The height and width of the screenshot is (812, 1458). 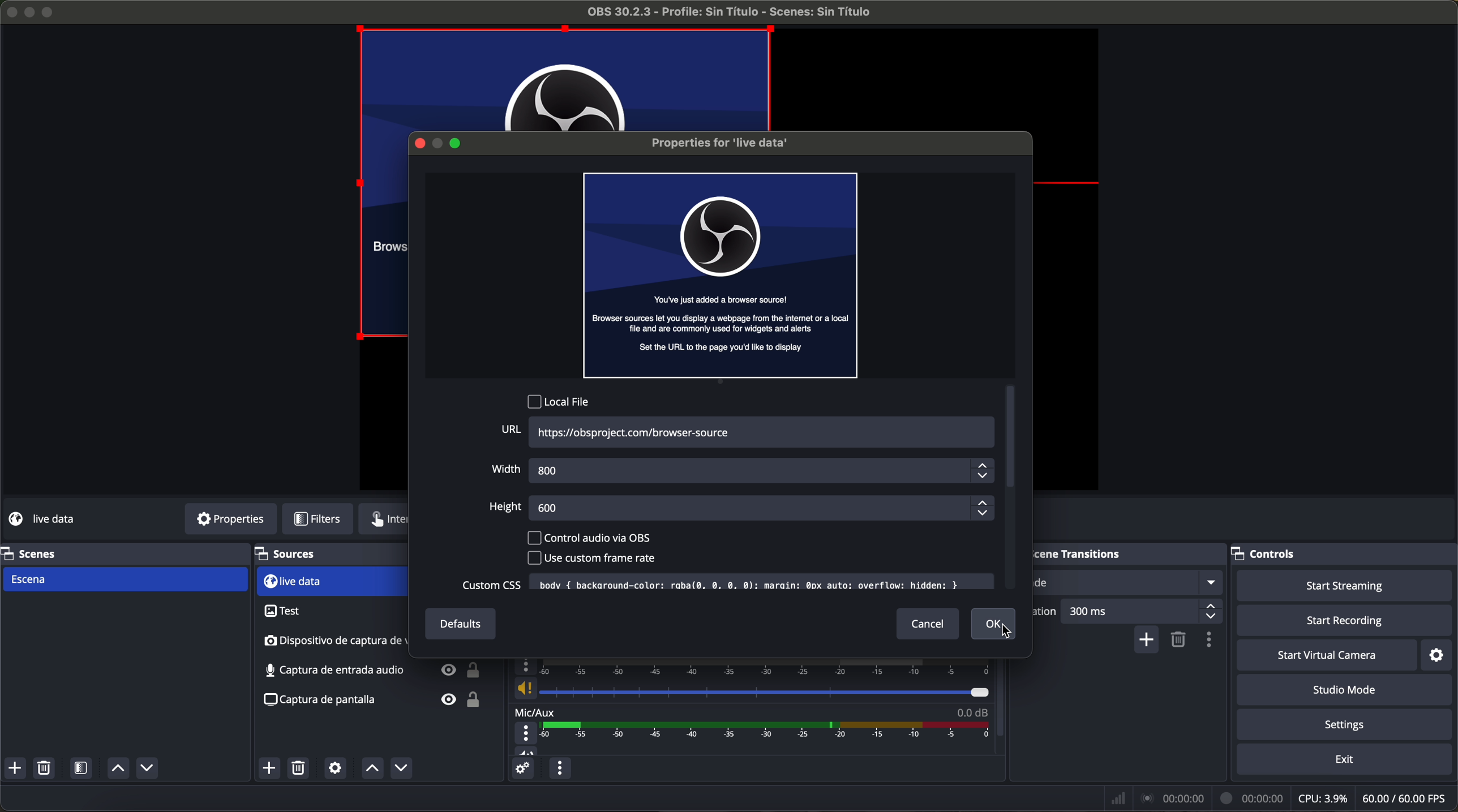 What do you see at coordinates (1146, 611) in the screenshot?
I see `300 ms` at bounding box center [1146, 611].